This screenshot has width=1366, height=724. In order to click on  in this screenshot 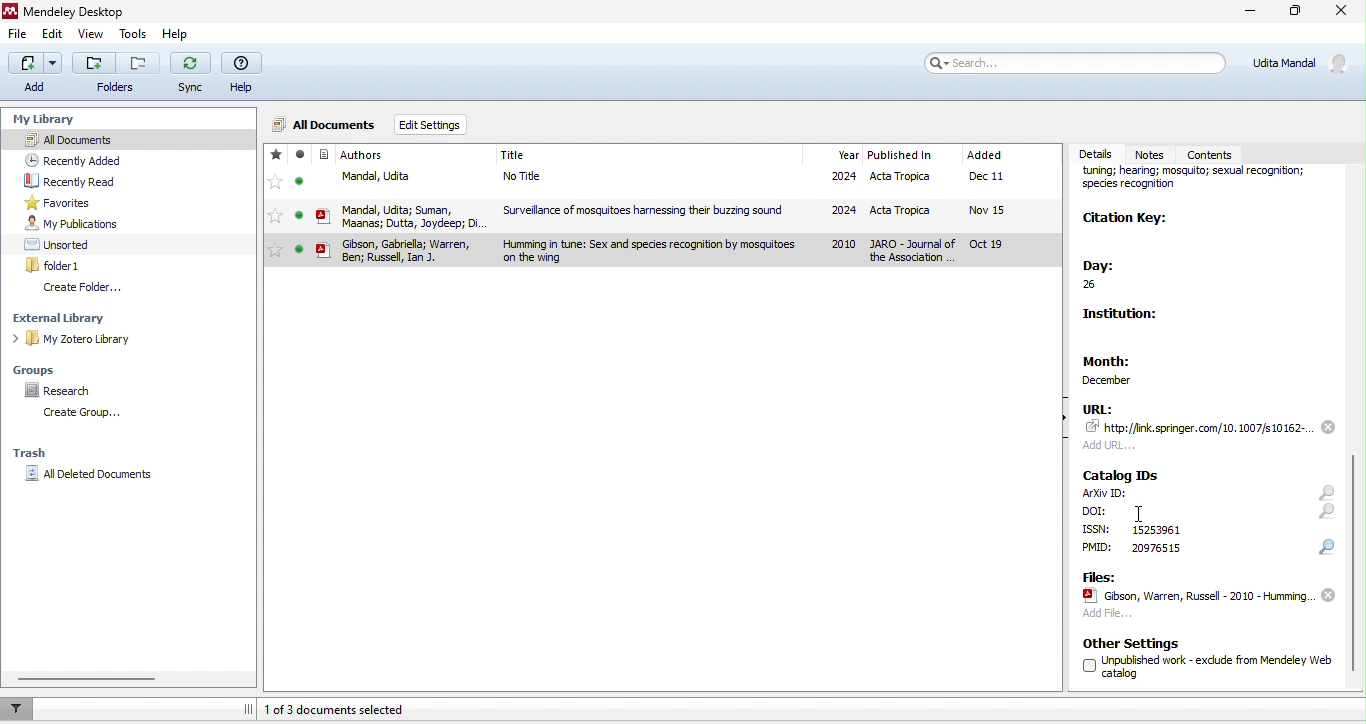, I will do `click(116, 72)`.